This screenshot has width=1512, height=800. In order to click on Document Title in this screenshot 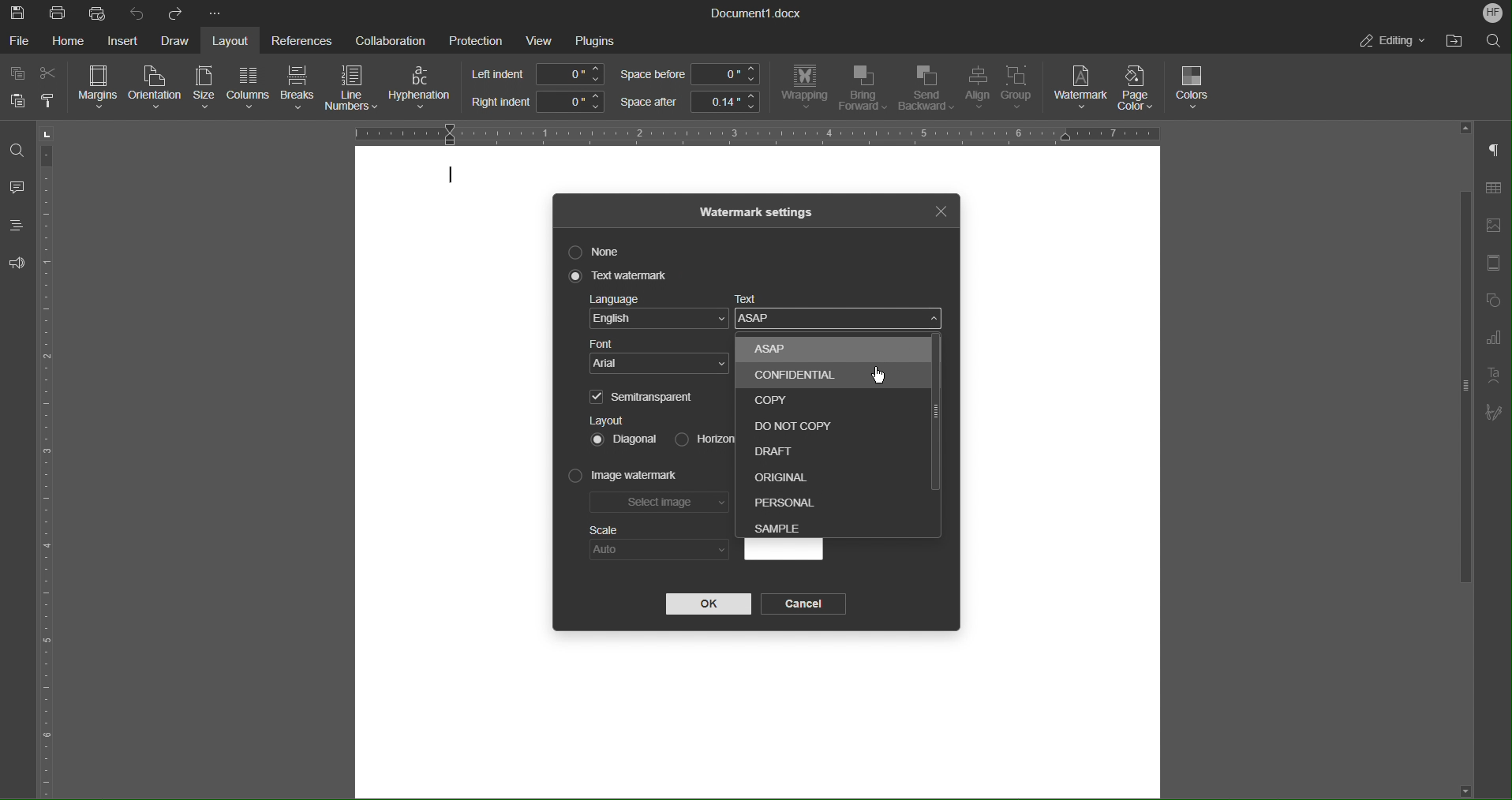, I will do `click(757, 13)`.